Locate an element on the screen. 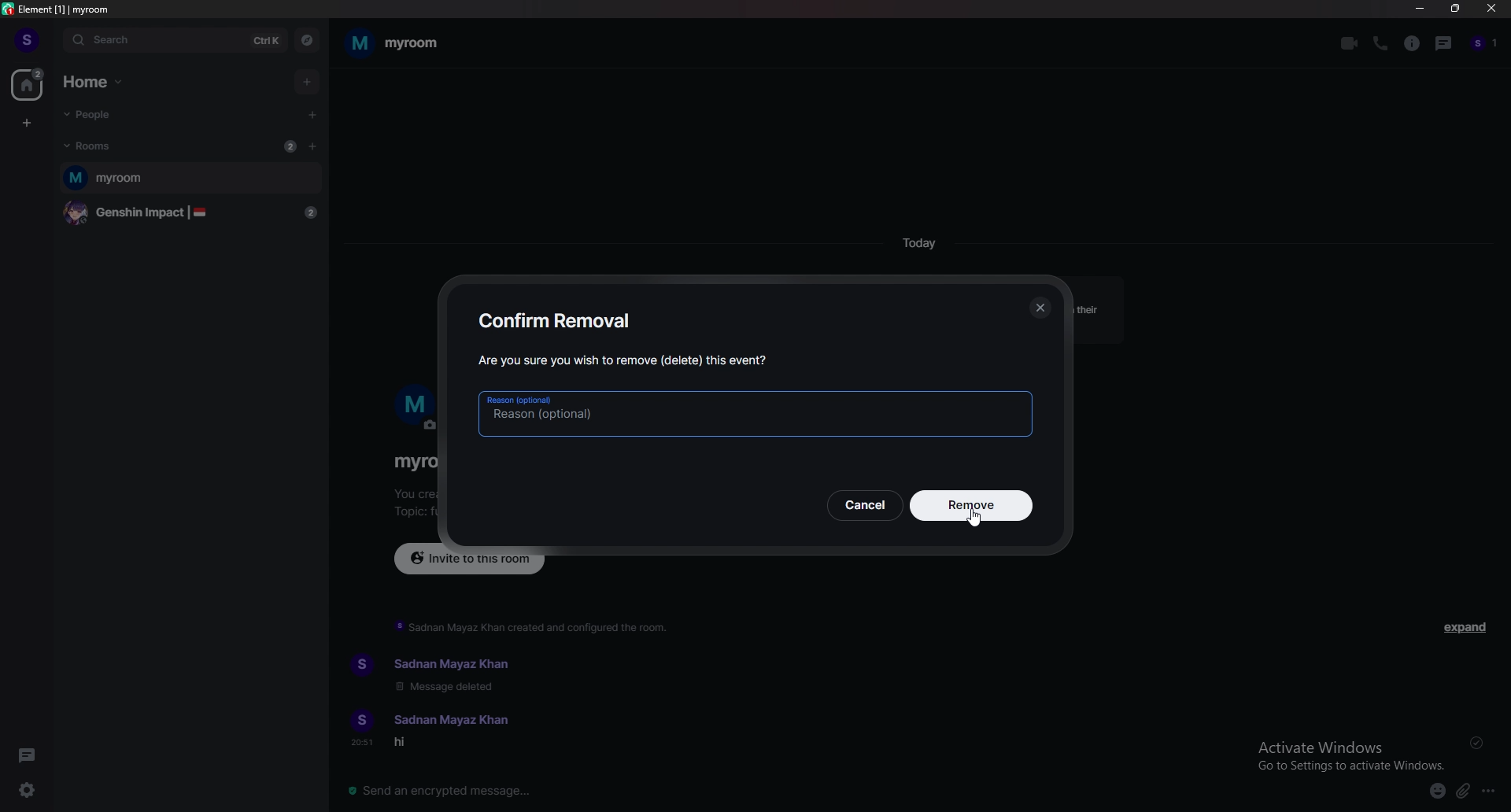  new message count is located at coordinates (290, 146).